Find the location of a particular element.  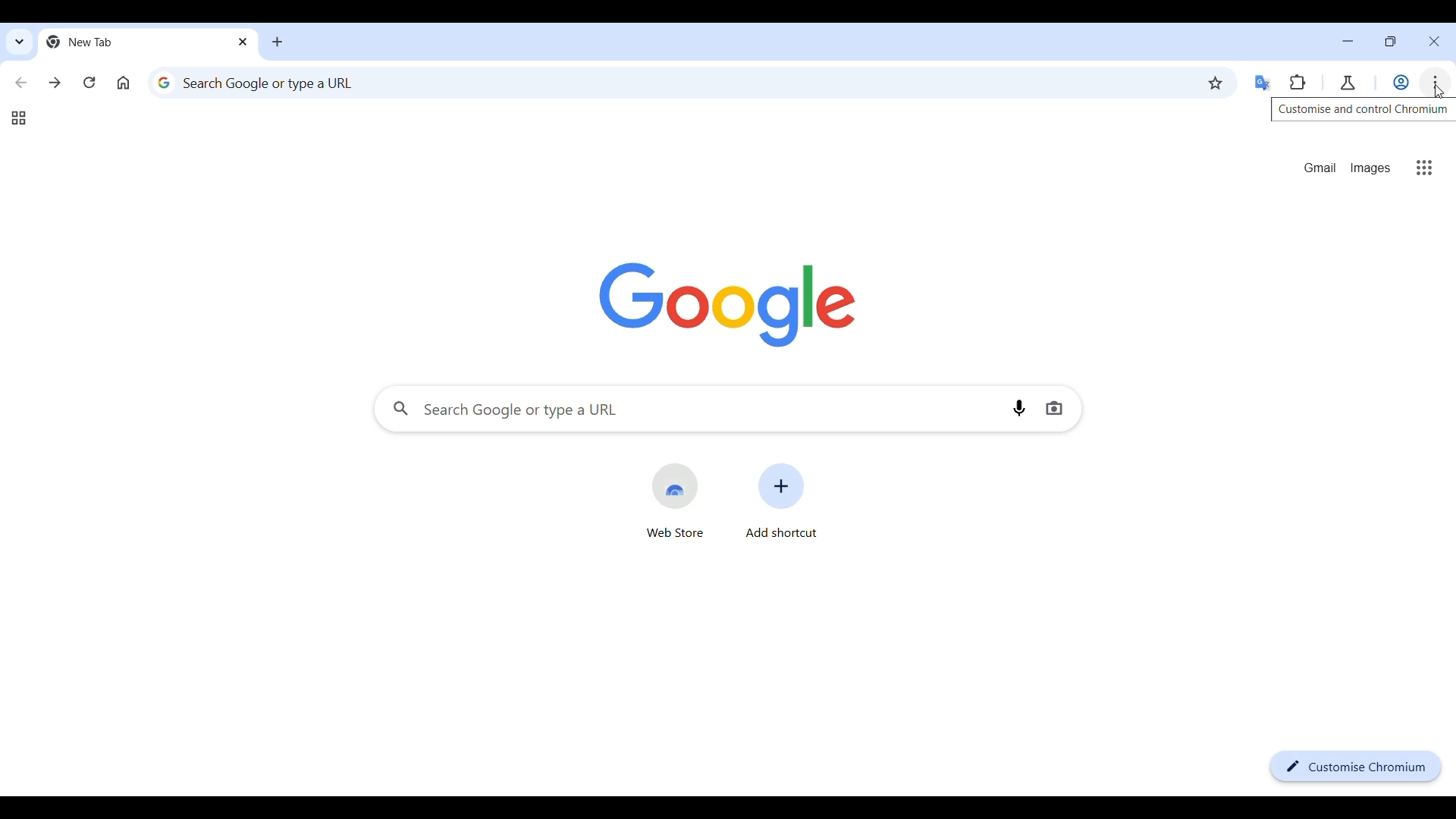

Google apps is located at coordinates (1425, 168).